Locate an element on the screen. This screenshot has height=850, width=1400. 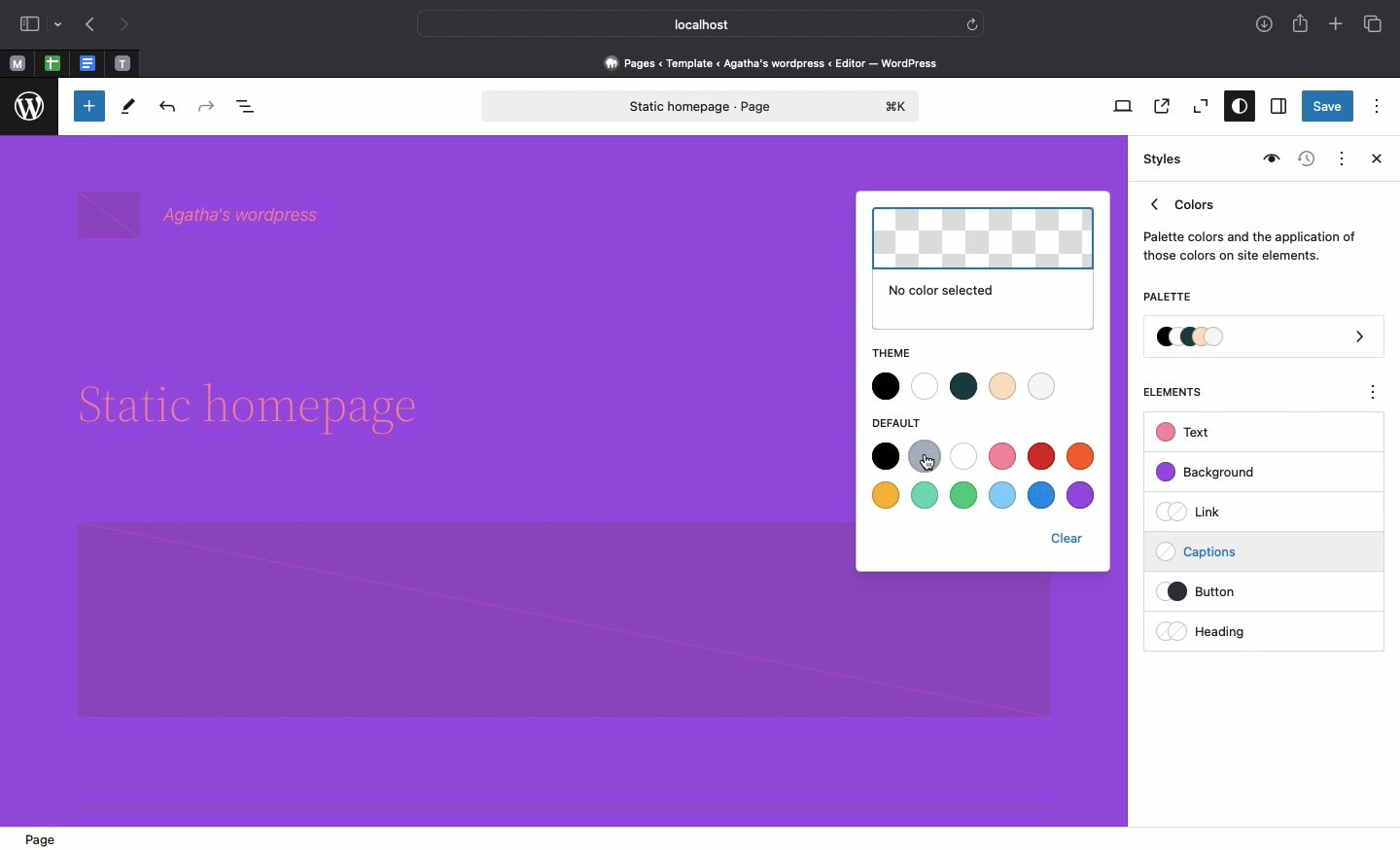
Toggle blocker is located at coordinates (89, 106).